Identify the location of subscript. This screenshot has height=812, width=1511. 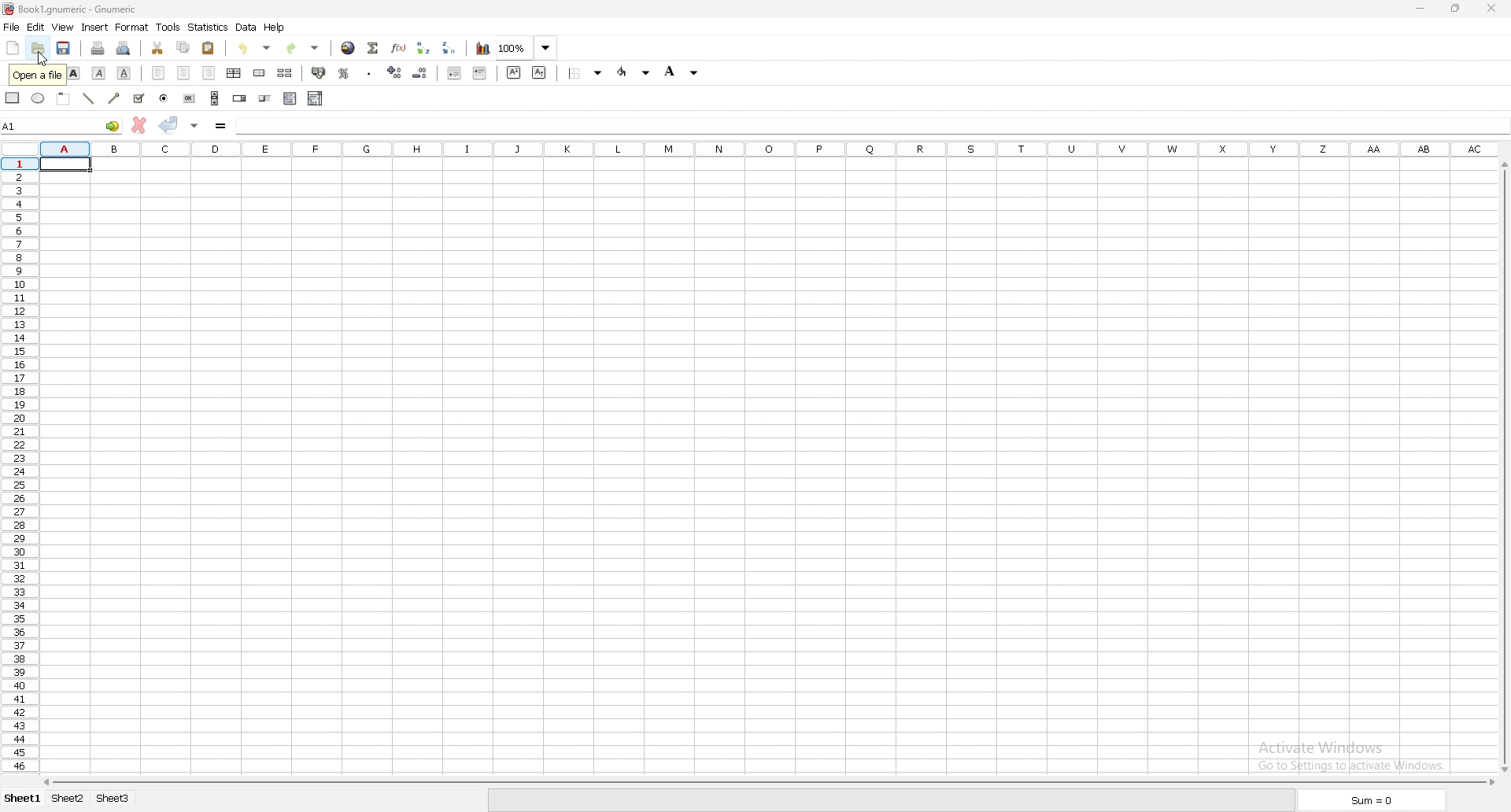
(538, 72).